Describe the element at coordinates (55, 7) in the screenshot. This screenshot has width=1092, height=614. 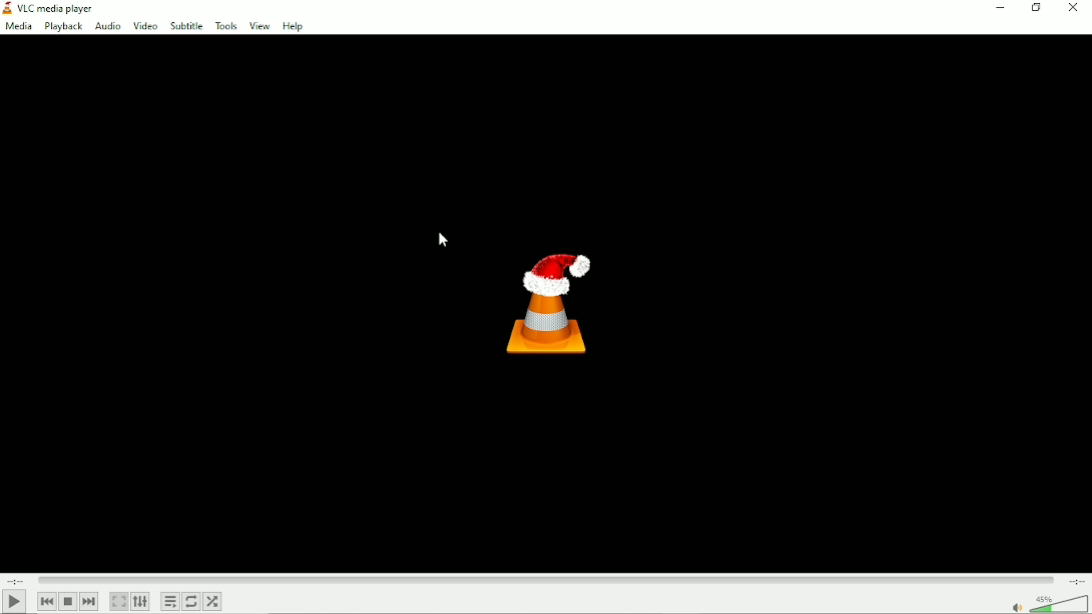
I see `VLC media player` at that location.